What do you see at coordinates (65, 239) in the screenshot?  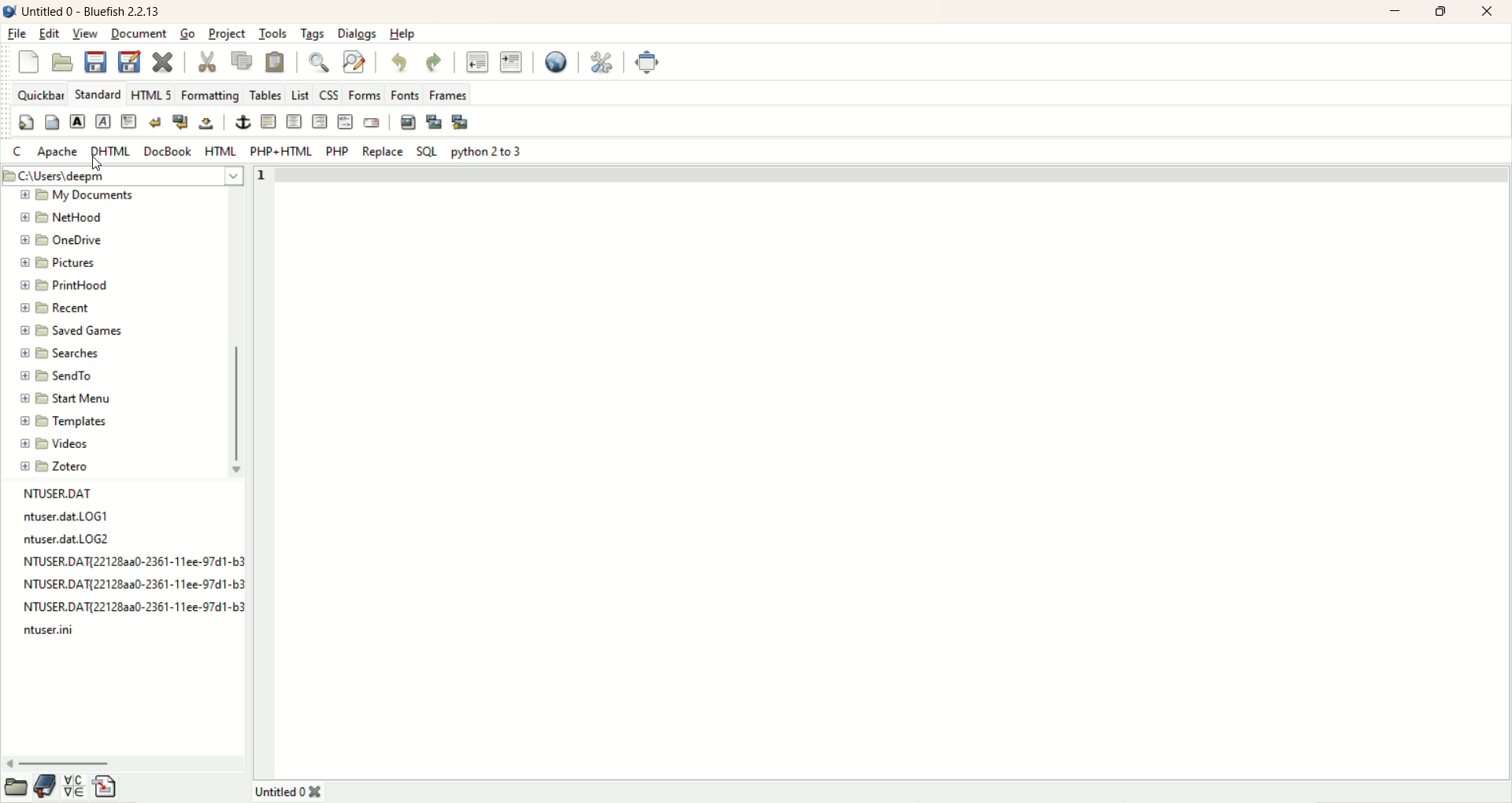 I see `onedrive` at bounding box center [65, 239].